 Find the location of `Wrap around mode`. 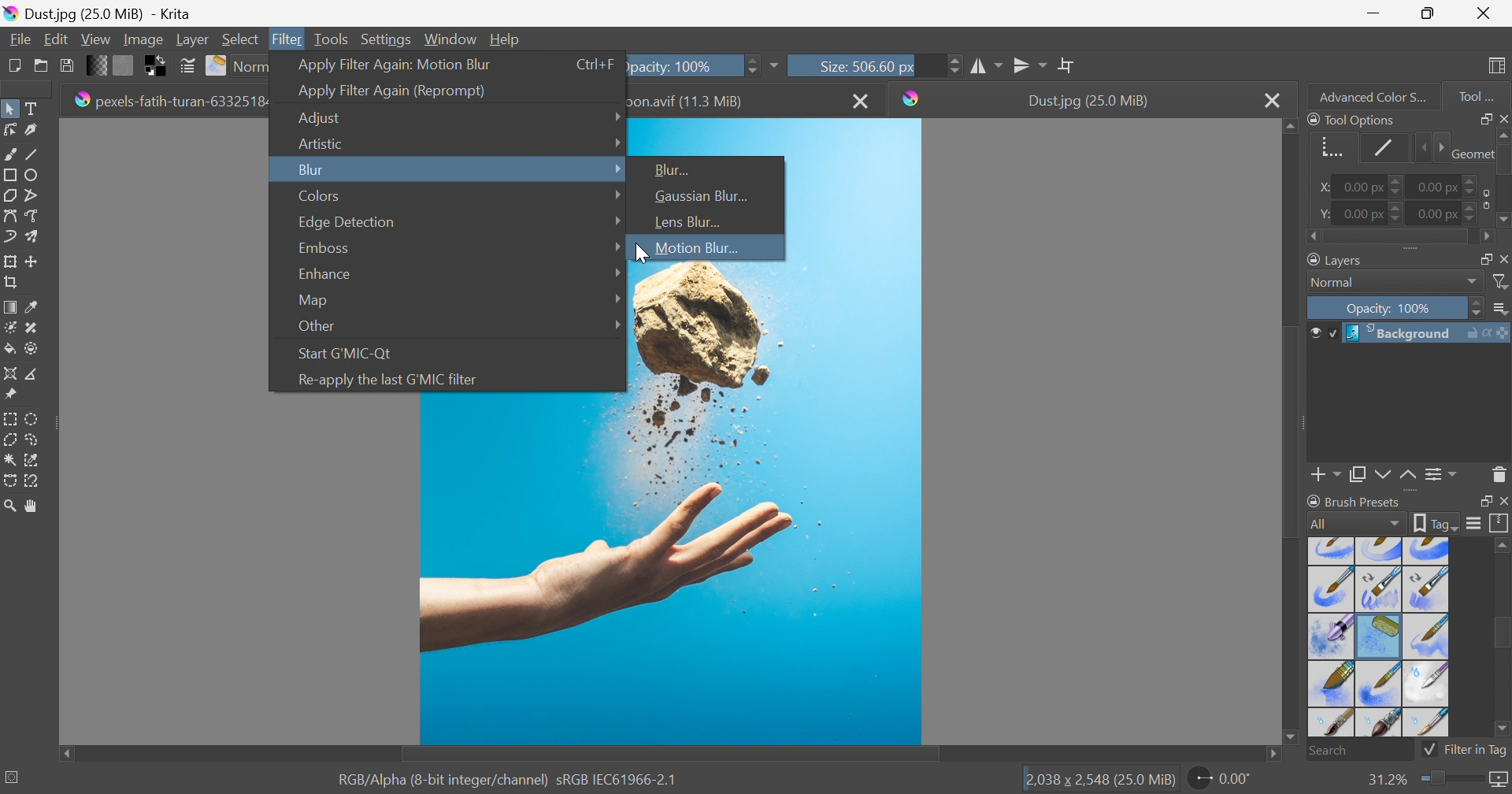

Wrap around mode is located at coordinates (1069, 65).